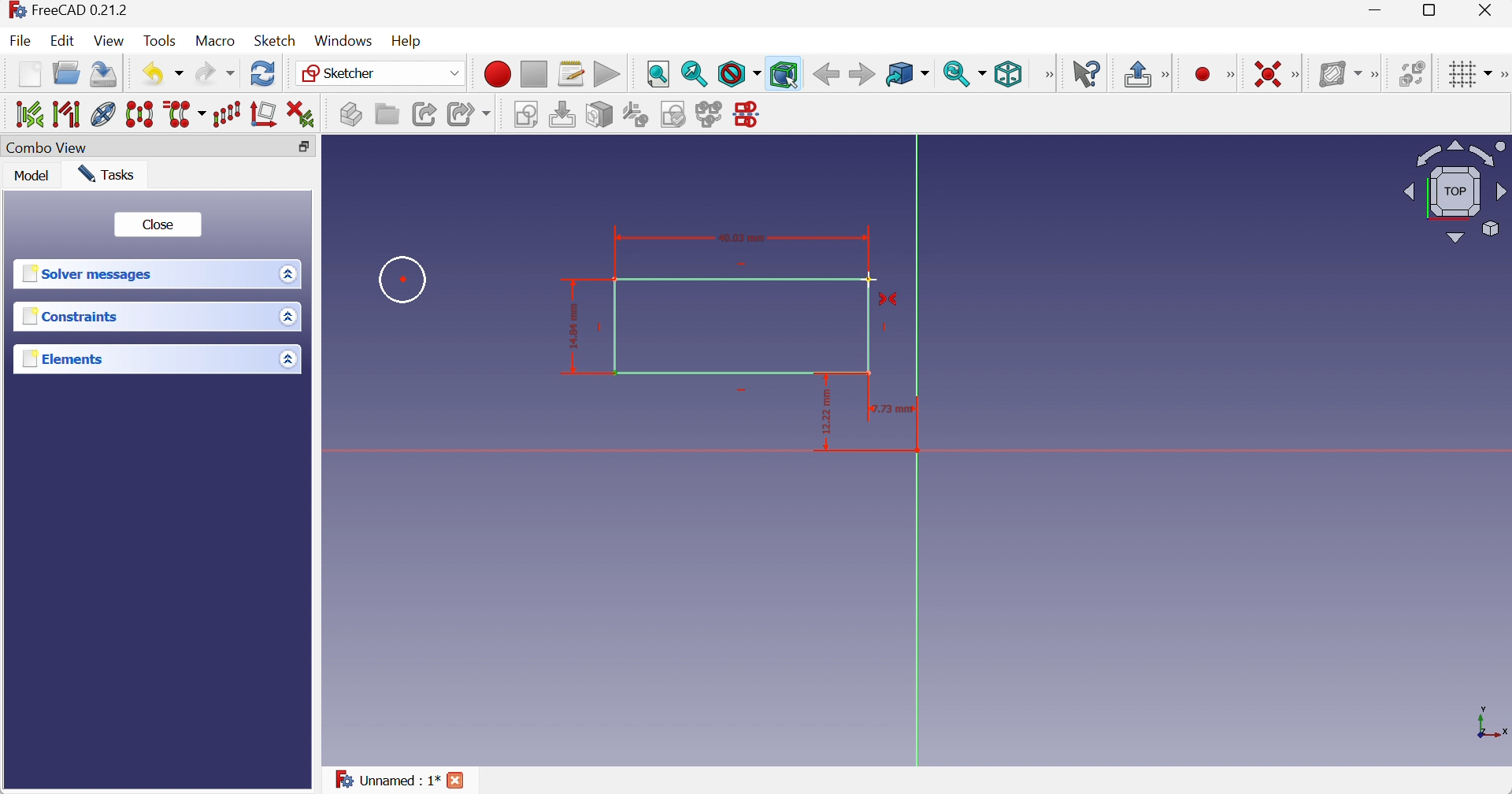  Describe the element at coordinates (1473, 75) in the screenshot. I see `Toggle grid` at that location.